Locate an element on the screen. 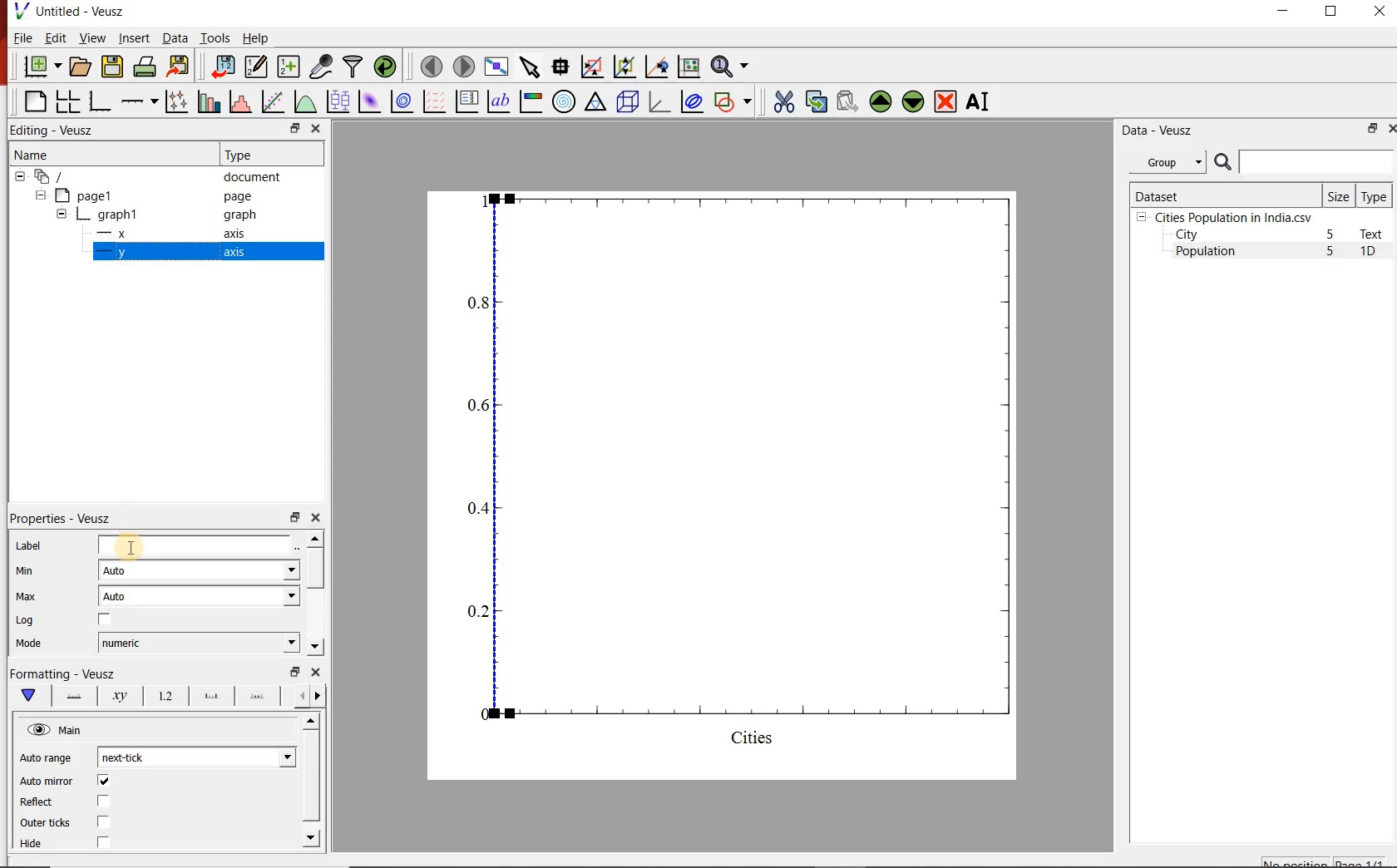 Image resolution: width=1397 pixels, height=868 pixels. close is located at coordinates (1390, 128).